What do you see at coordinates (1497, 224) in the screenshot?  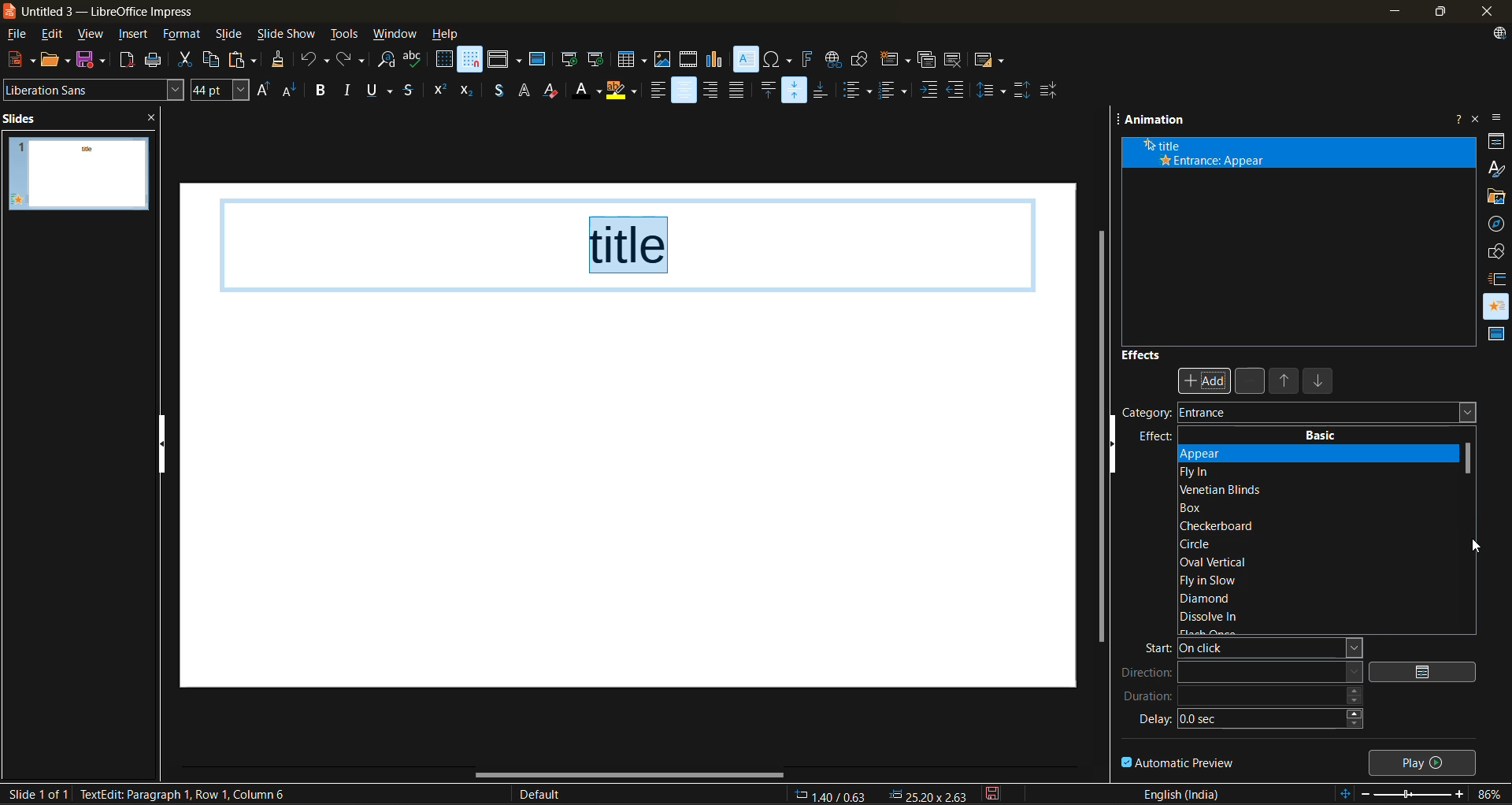 I see `navigator` at bounding box center [1497, 224].